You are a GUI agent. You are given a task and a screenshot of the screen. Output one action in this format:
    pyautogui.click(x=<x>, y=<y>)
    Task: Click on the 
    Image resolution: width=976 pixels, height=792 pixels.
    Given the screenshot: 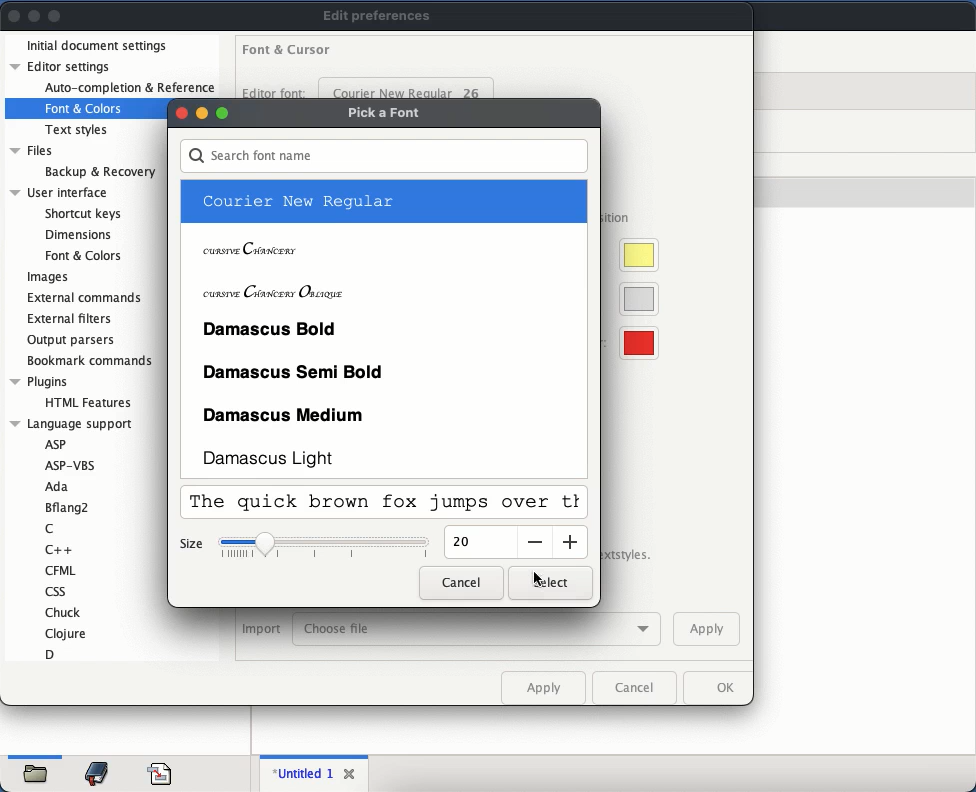 What is the action you would take?
    pyautogui.click(x=221, y=111)
    